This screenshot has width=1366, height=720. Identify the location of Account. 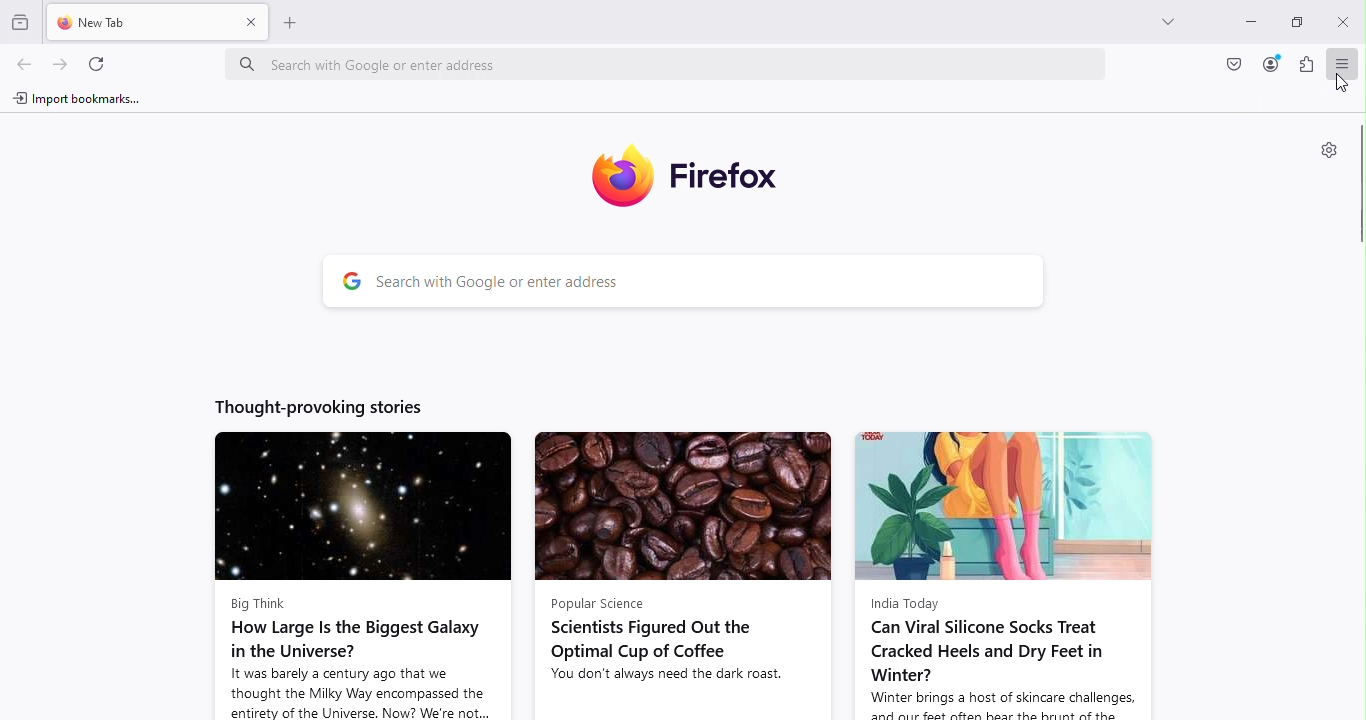
(1270, 63).